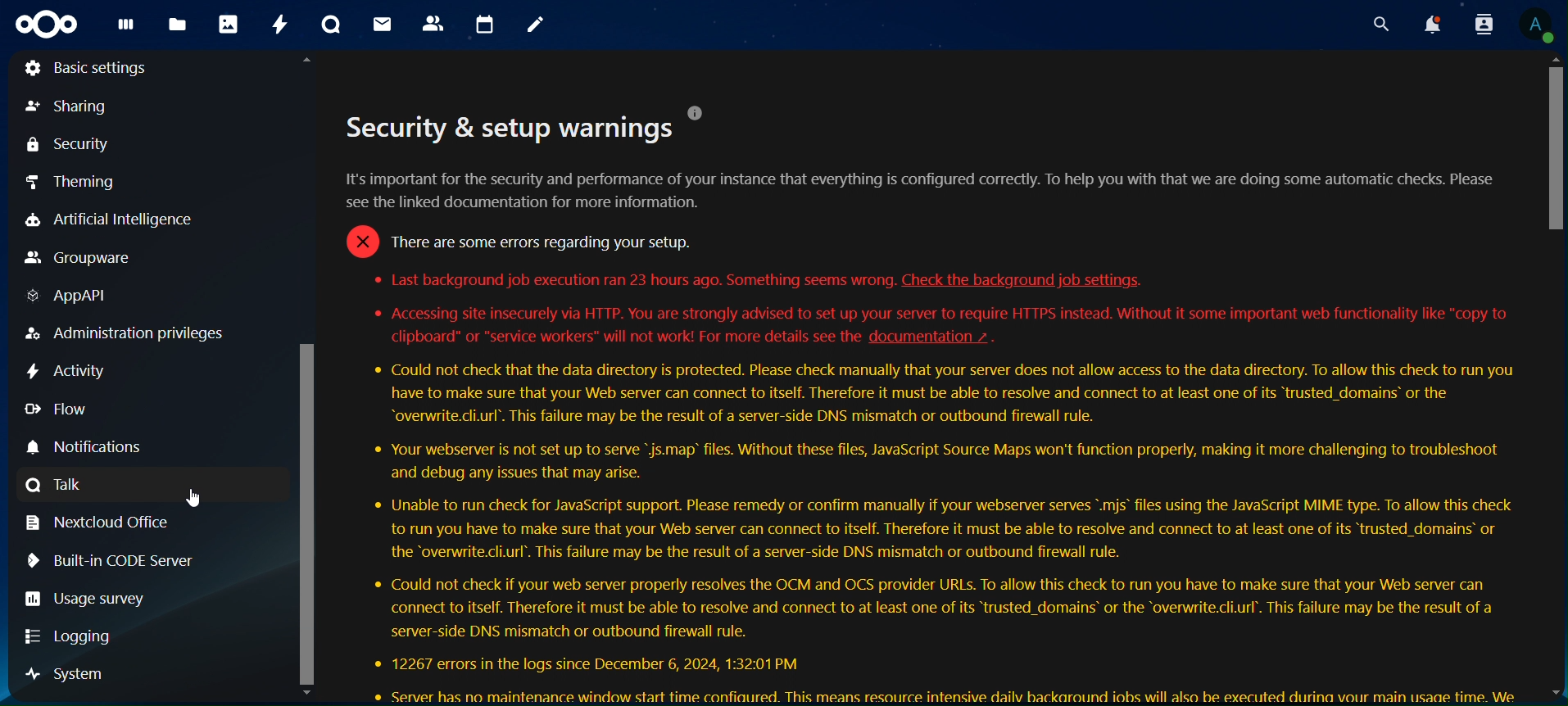  What do you see at coordinates (228, 24) in the screenshot?
I see `photos` at bounding box center [228, 24].